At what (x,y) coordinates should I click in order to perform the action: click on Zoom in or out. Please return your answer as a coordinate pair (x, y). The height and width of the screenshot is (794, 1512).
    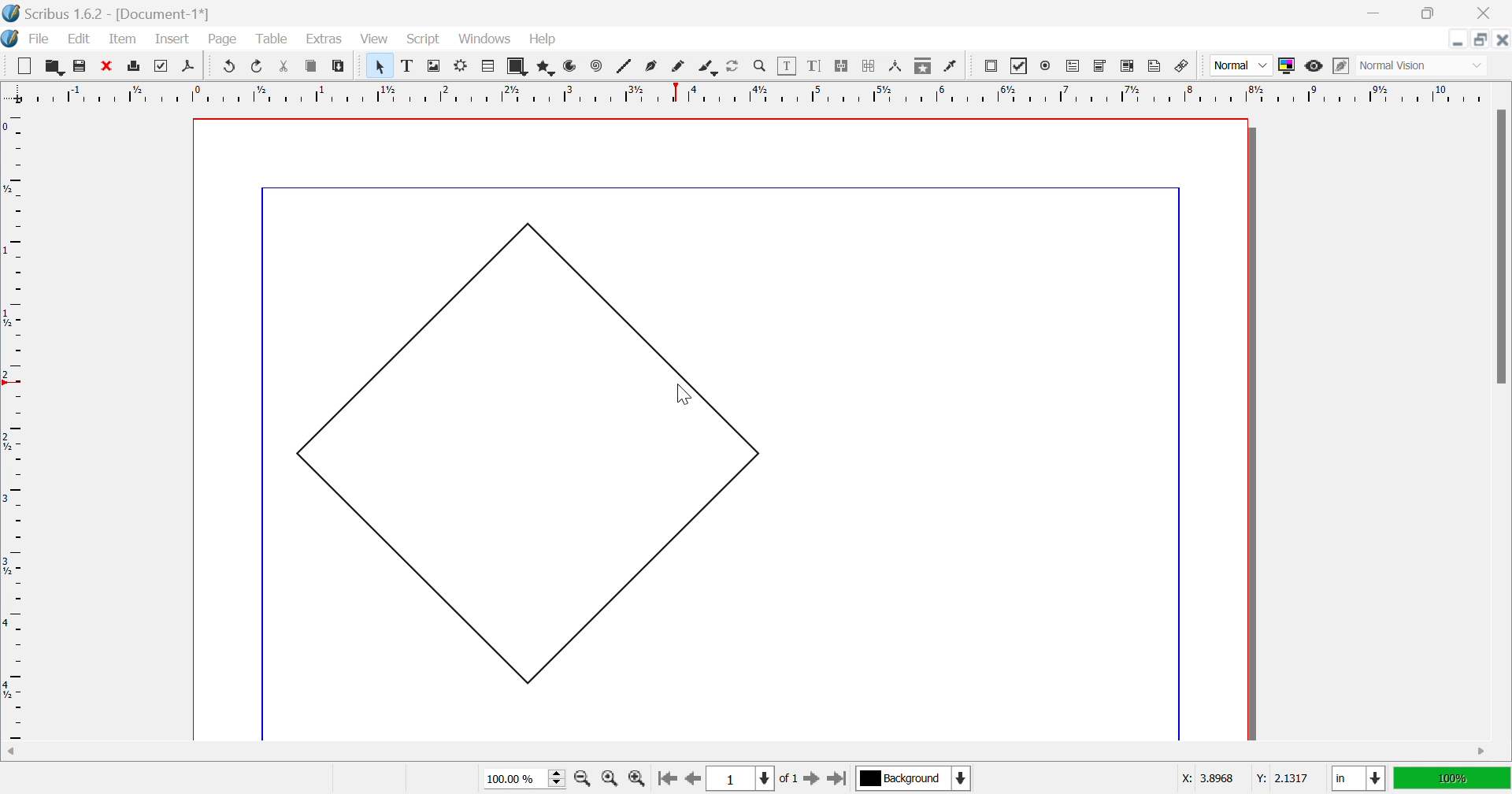
    Looking at the image, I should click on (760, 65).